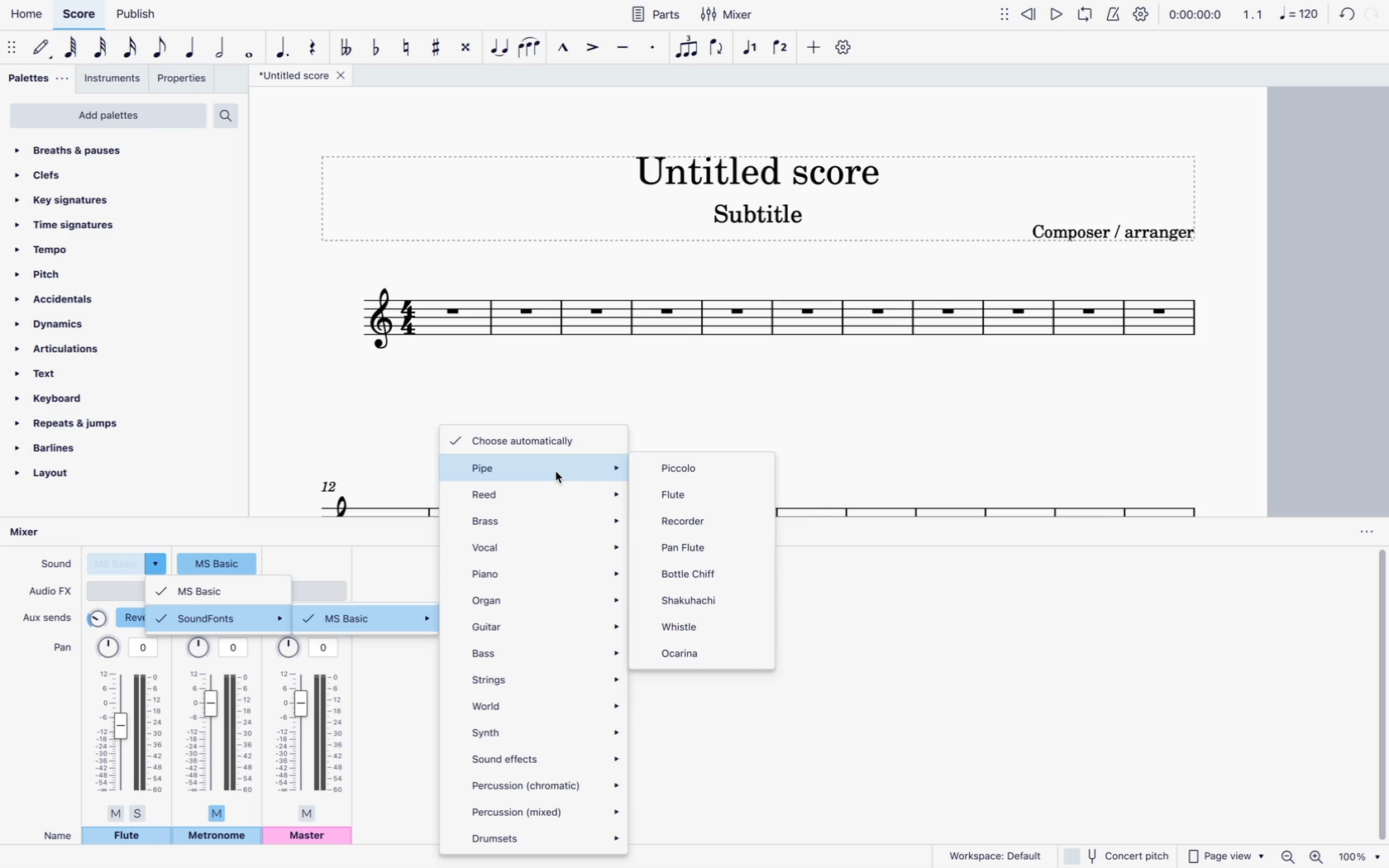 The height and width of the screenshot is (868, 1389). What do you see at coordinates (522, 440) in the screenshot?
I see `choose automatically` at bounding box center [522, 440].